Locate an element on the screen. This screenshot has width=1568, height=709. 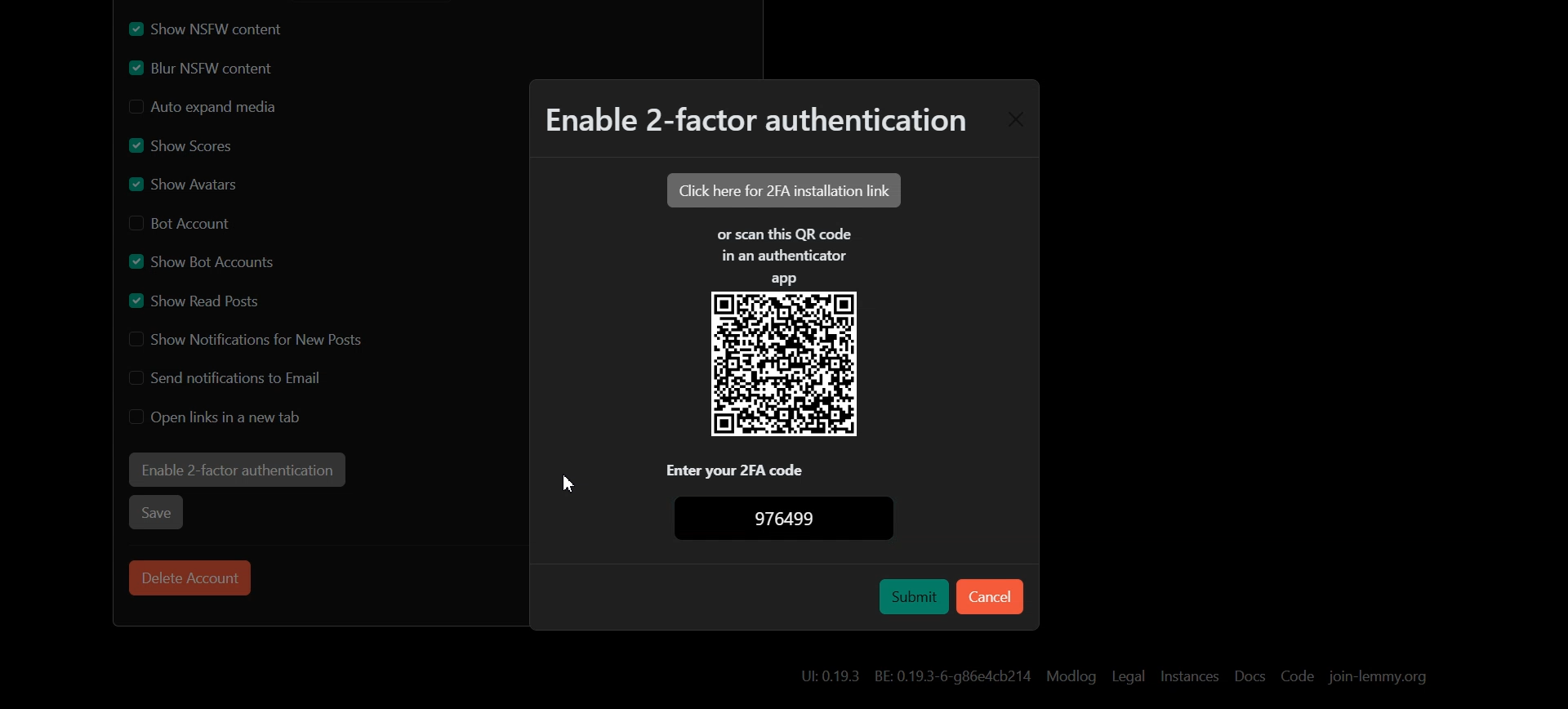
Modlog is located at coordinates (1071, 676).